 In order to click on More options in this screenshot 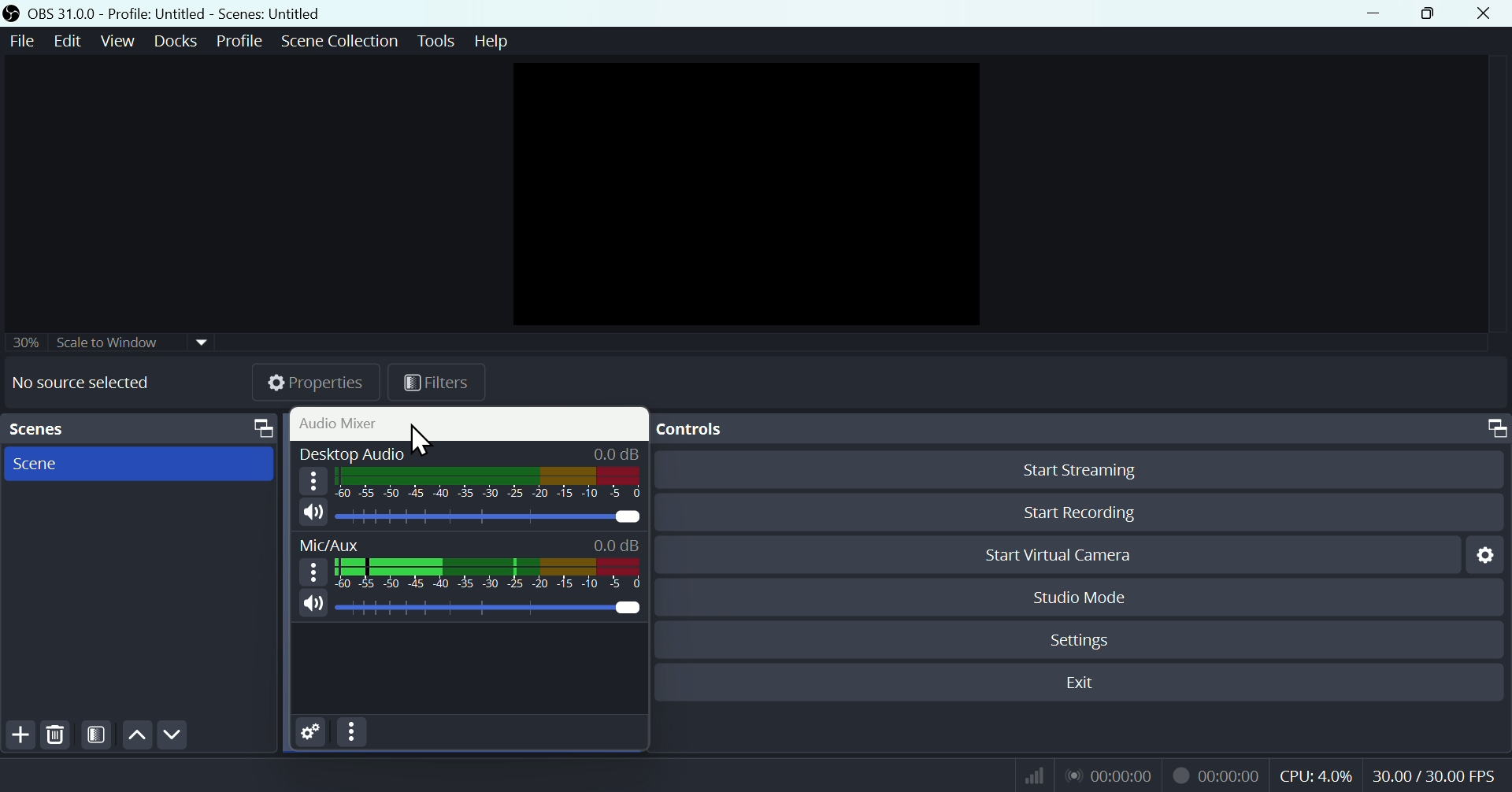, I will do `click(313, 571)`.